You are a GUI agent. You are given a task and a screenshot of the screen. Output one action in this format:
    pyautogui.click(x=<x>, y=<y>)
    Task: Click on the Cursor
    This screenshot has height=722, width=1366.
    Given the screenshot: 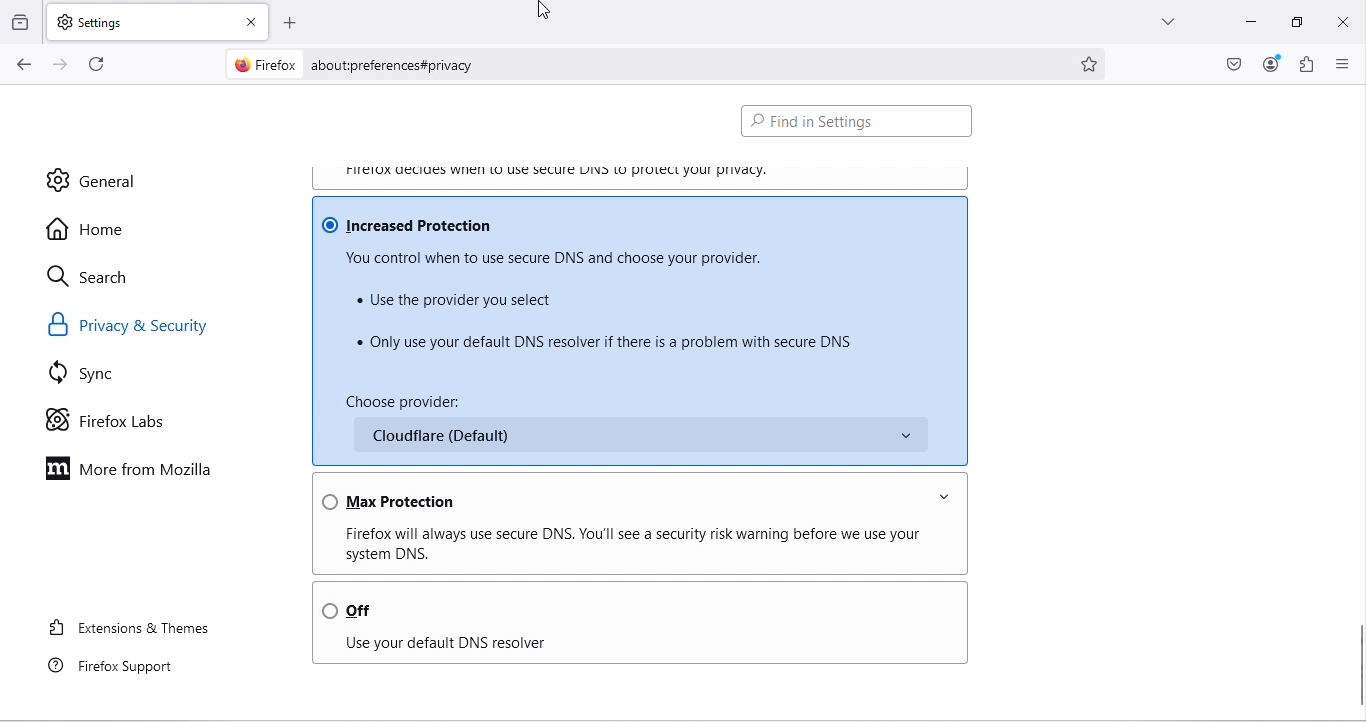 What is the action you would take?
    pyautogui.click(x=548, y=12)
    